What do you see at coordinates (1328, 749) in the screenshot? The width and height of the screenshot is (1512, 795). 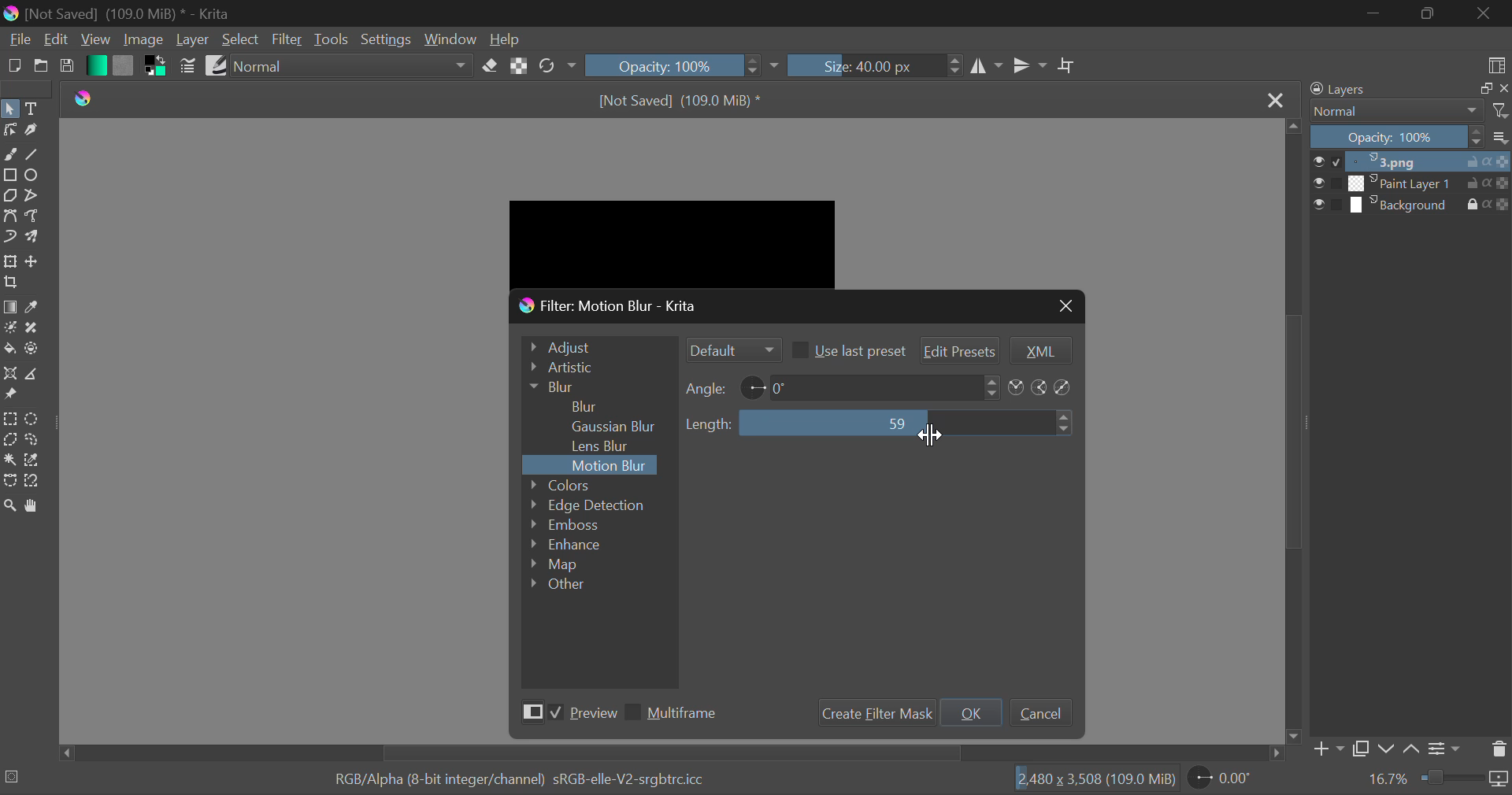 I see `Add Layer` at bounding box center [1328, 749].